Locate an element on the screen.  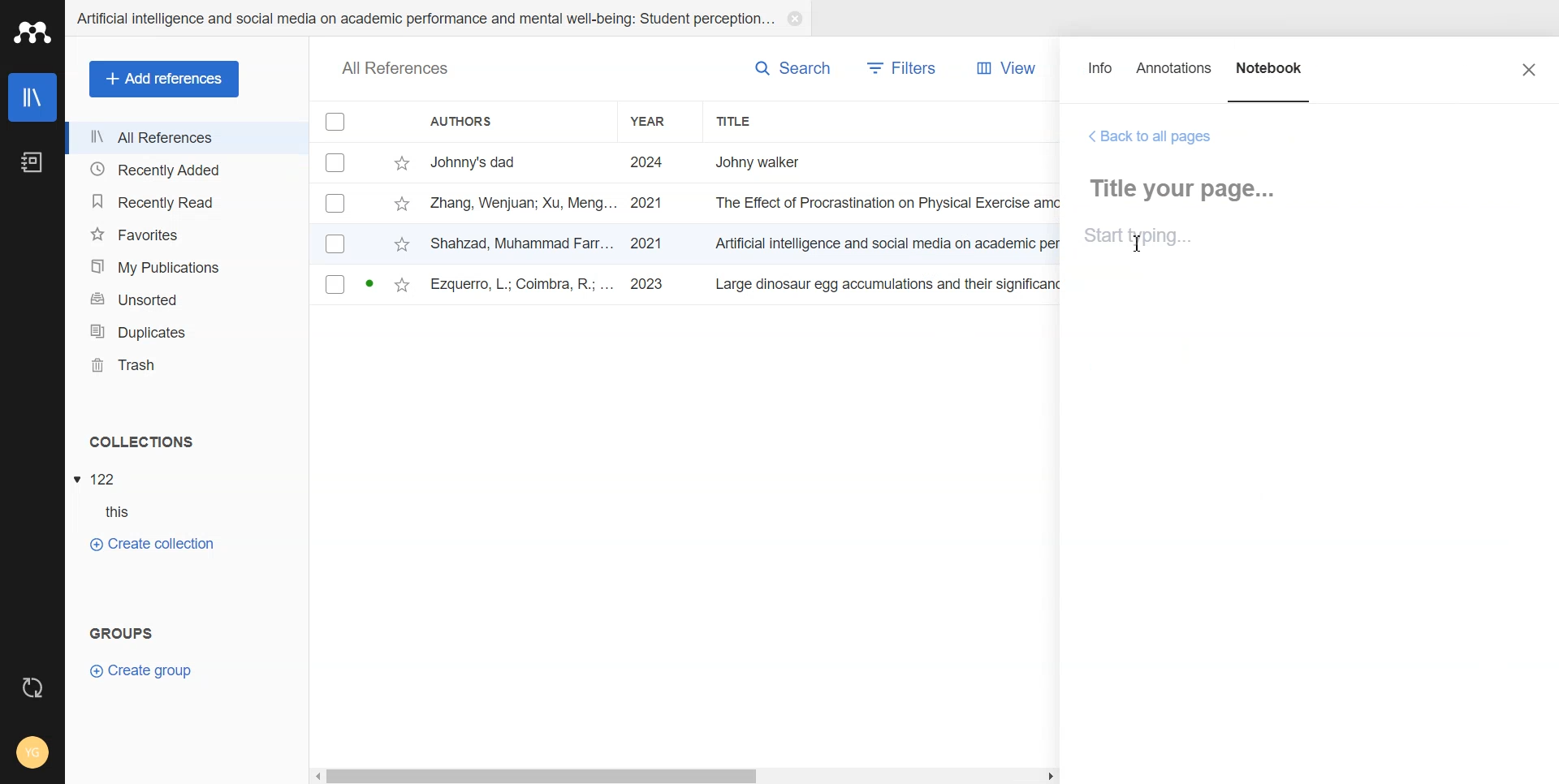
Unsorted is located at coordinates (187, 299).